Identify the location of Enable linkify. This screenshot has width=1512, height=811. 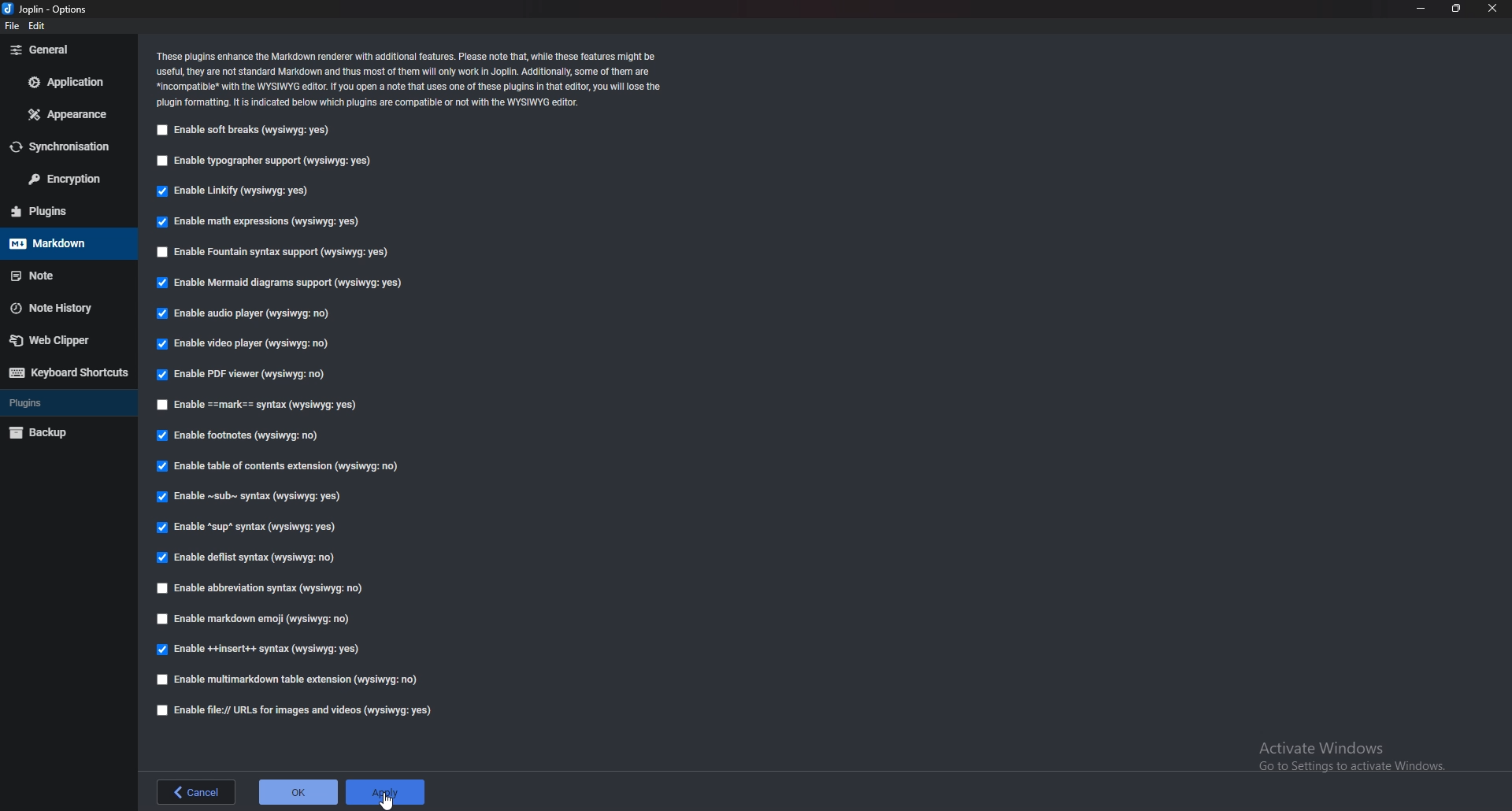
(232, 191).